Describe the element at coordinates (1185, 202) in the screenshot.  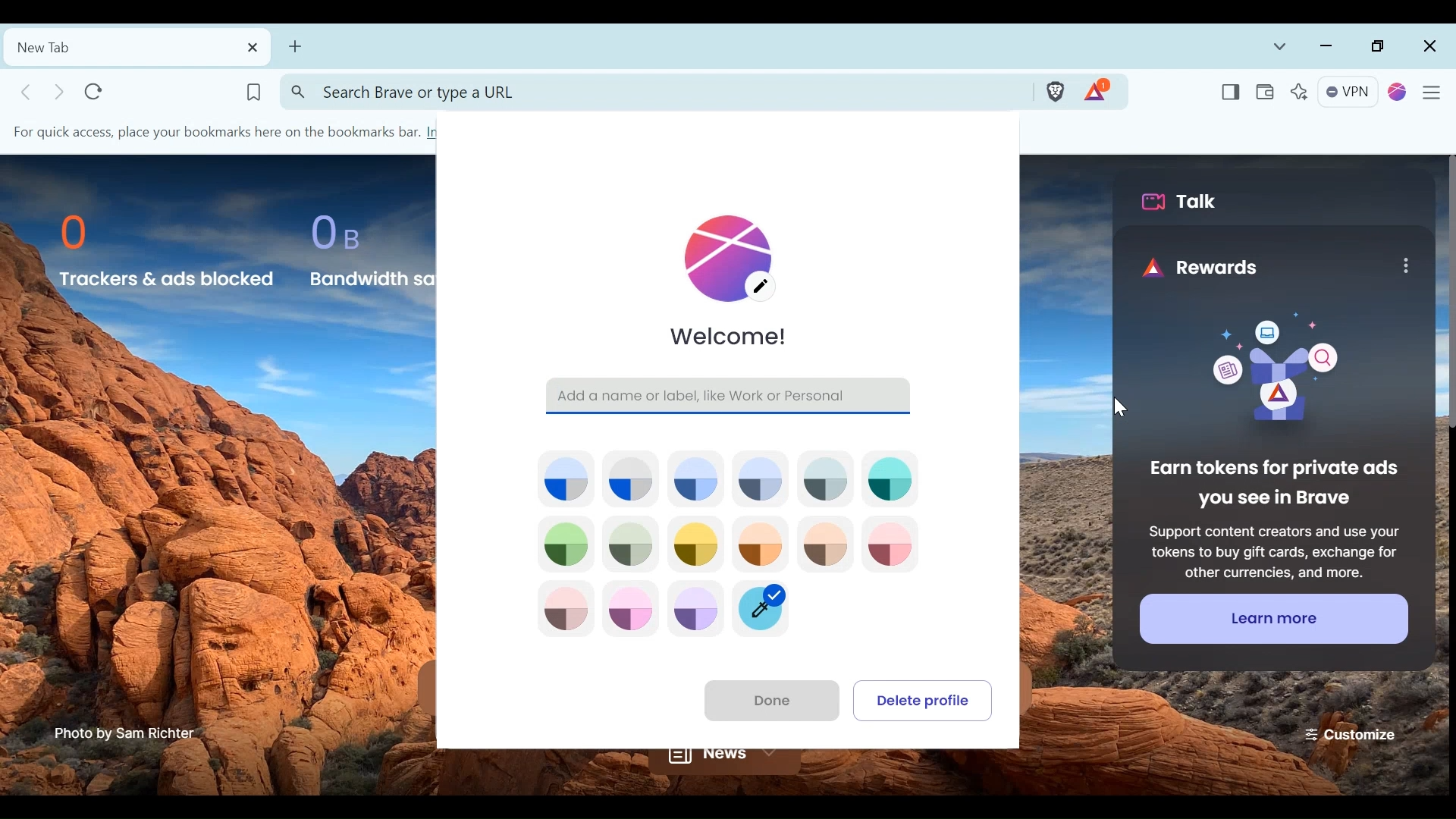
I see `Talk` at that location.